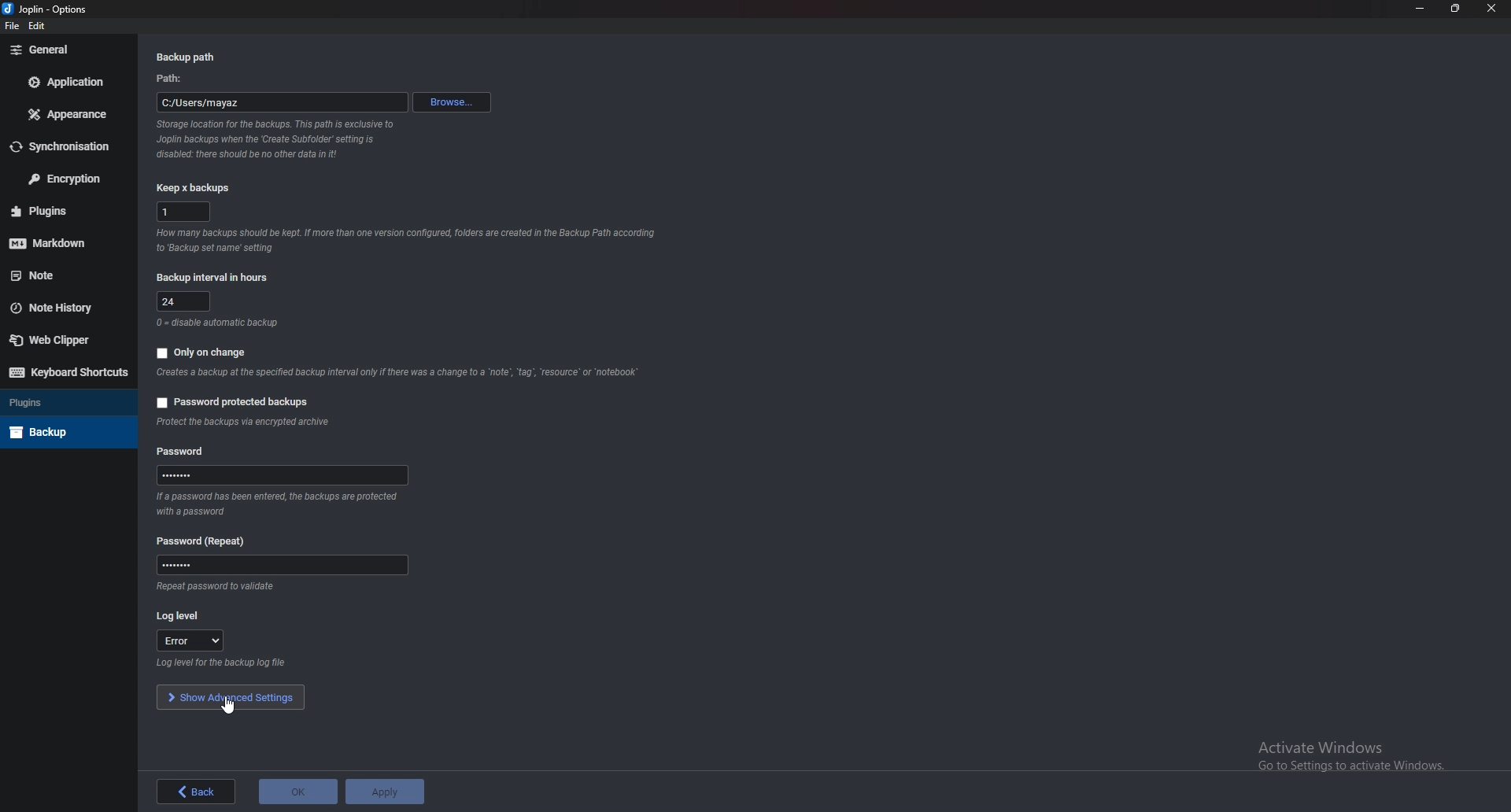  I want to click on Password protected backups, so click(238, 402).